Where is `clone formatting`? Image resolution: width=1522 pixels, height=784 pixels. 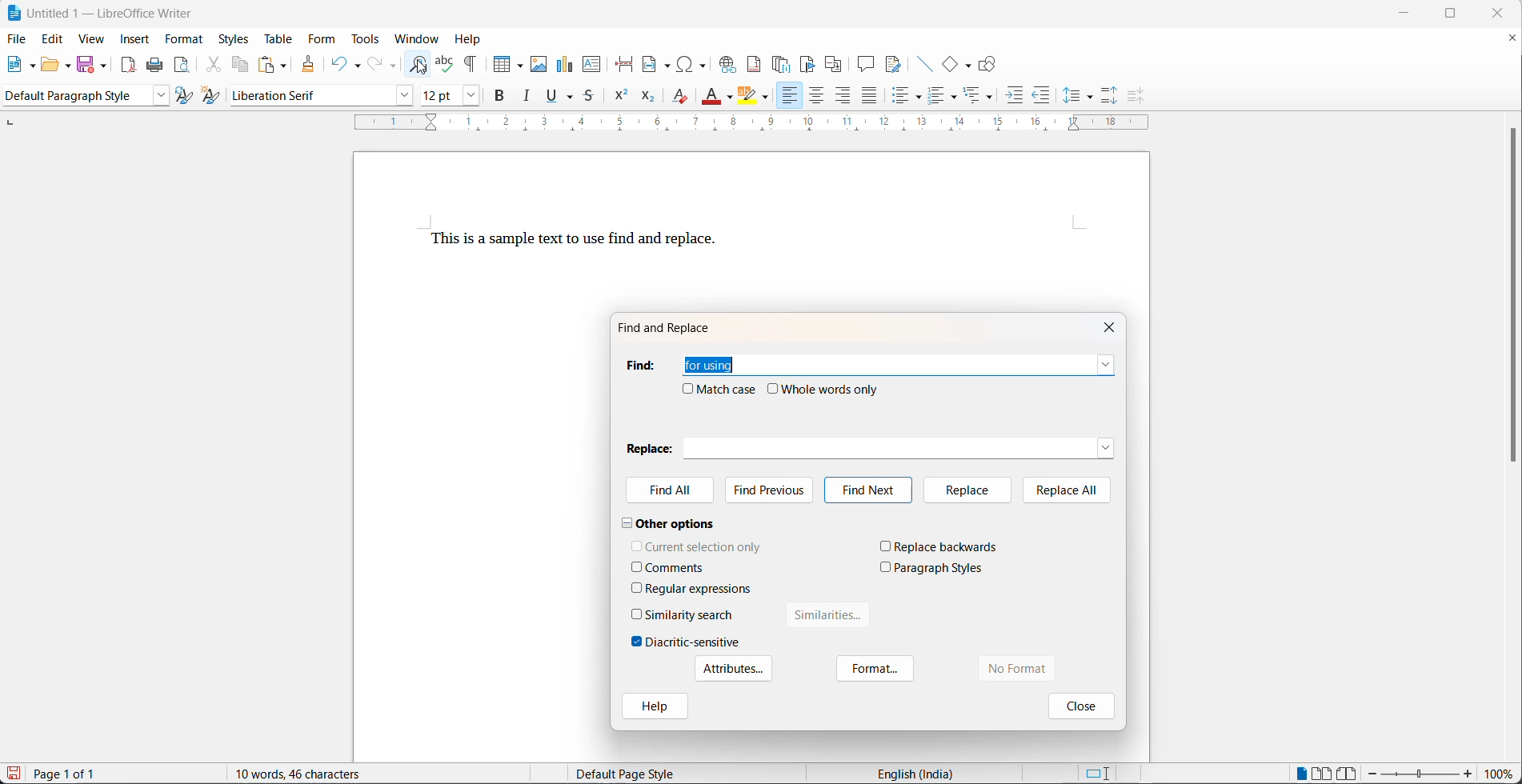
clone formatting is located at coordinates (310, 65).